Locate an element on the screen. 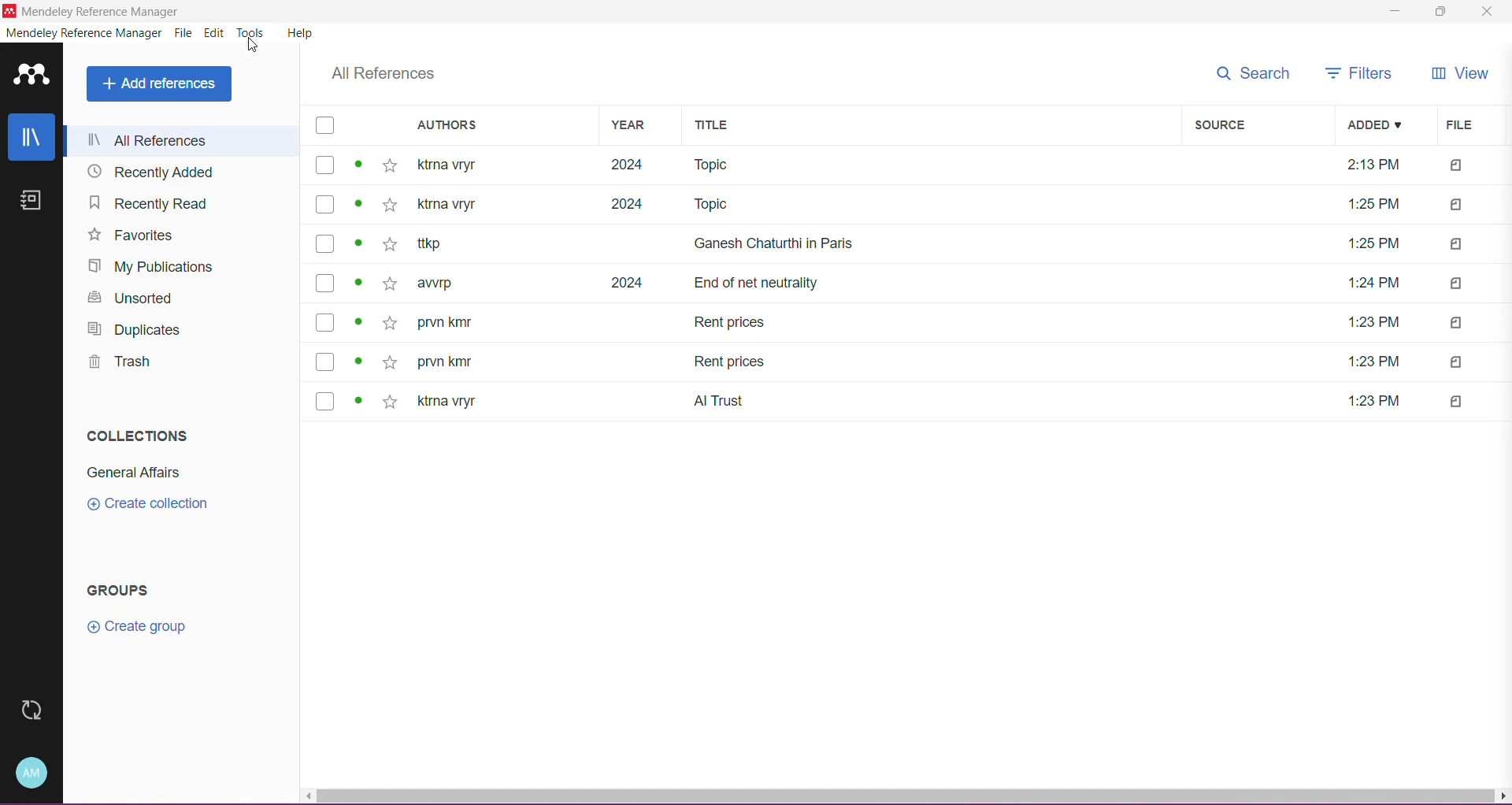  Application Name is located at coordinates (100, 13).